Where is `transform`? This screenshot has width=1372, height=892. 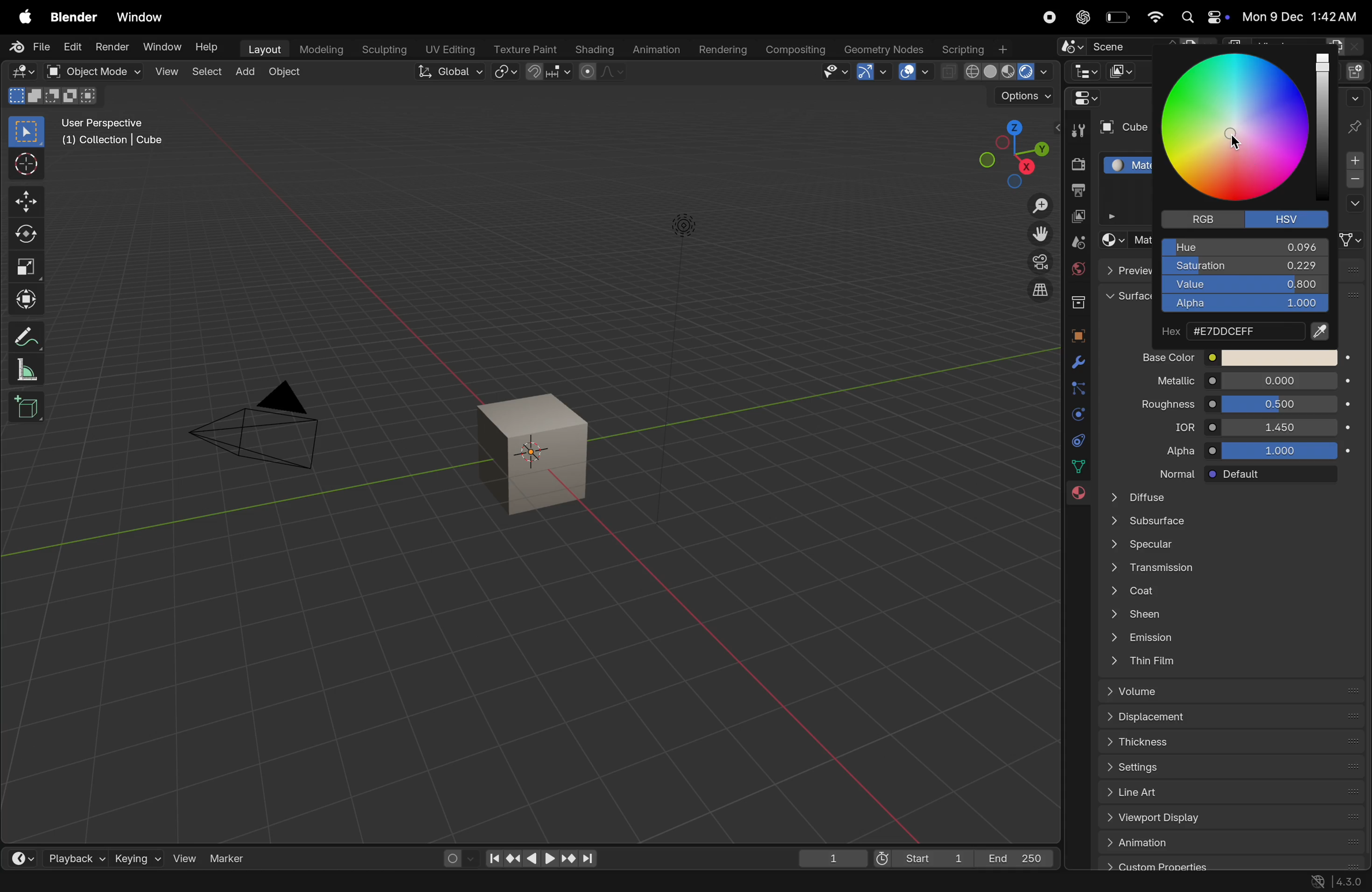 transform is located at coordinates (25, 300).